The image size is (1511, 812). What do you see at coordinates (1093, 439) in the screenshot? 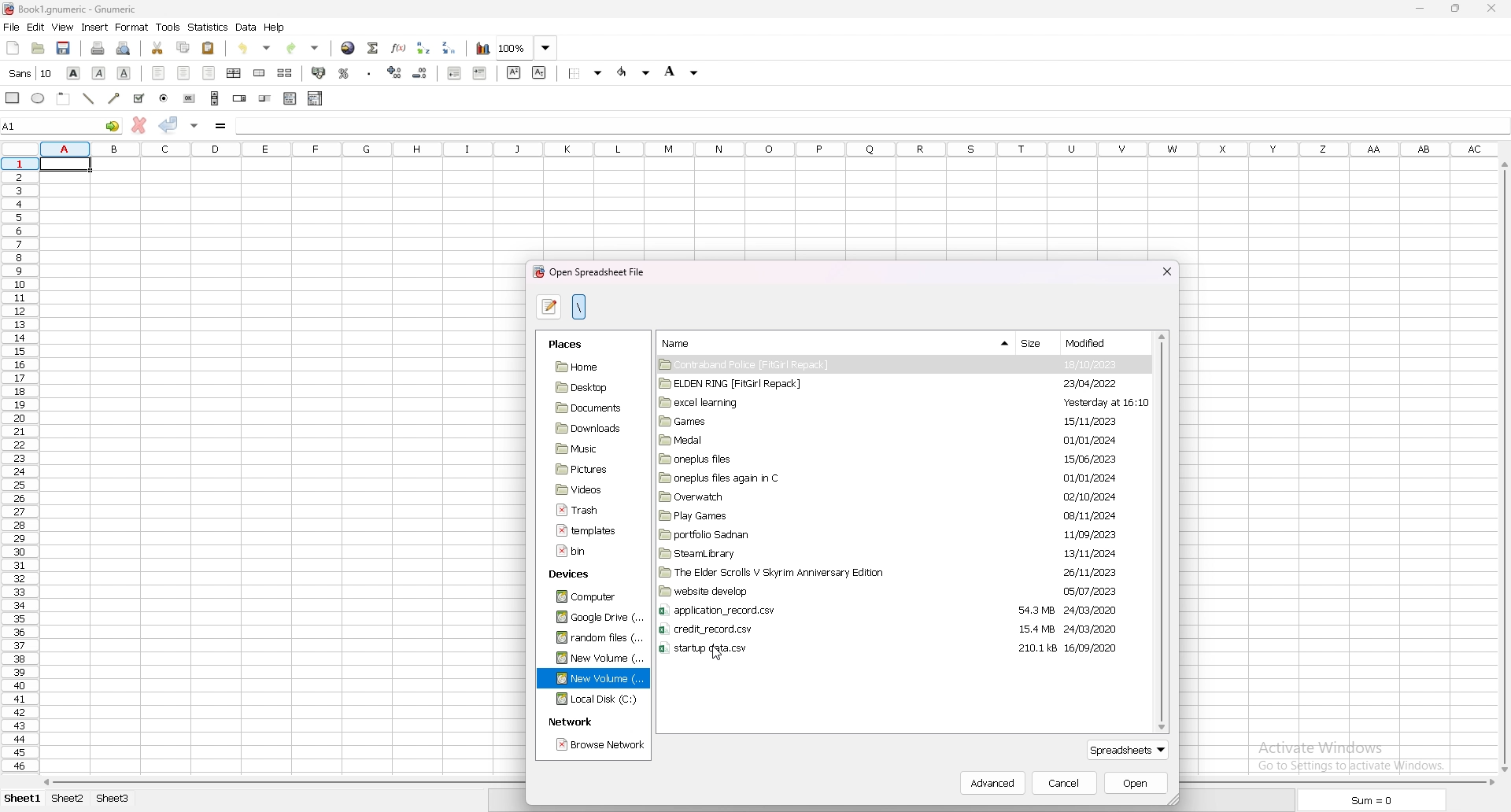
I see `01/01/2024` at bounding box center [1093, 439].